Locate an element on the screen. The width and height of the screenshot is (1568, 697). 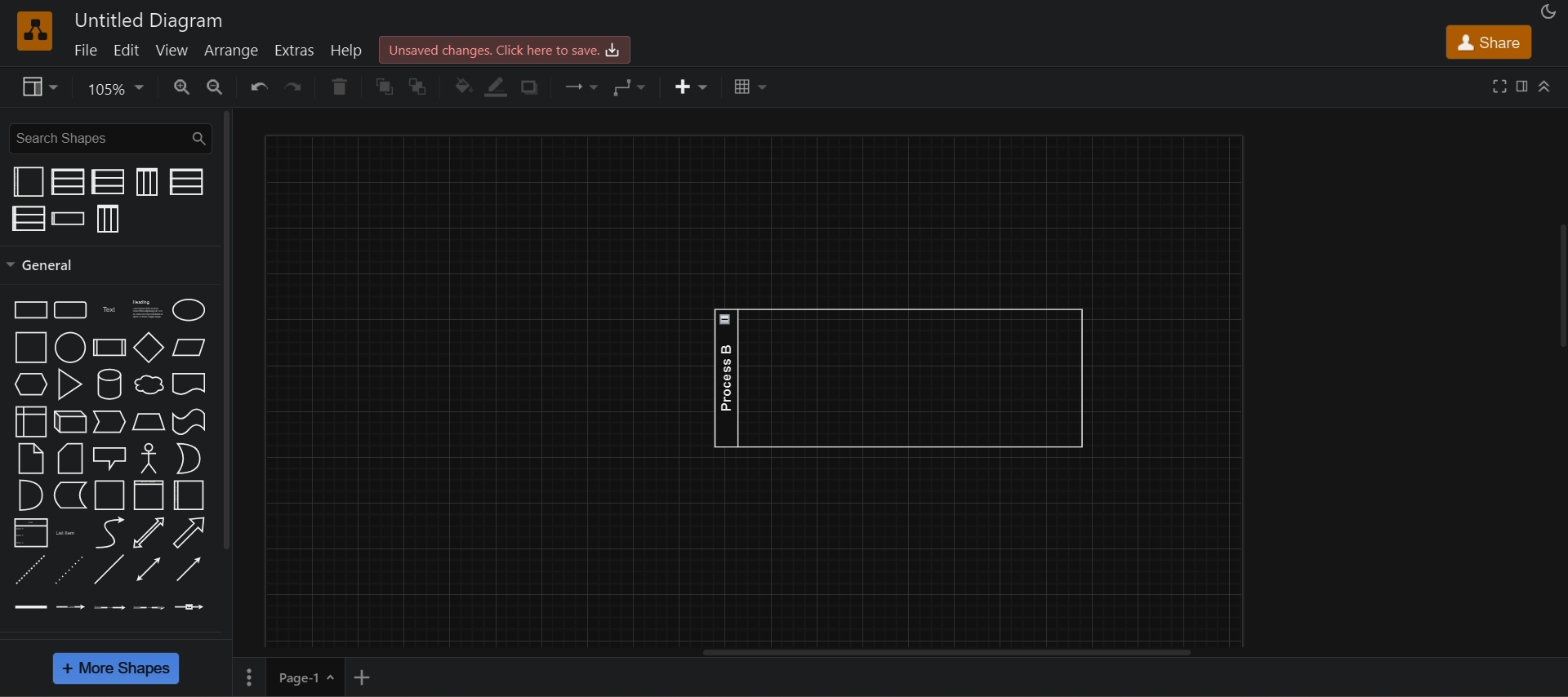
and is located at coordinates (29, 495).